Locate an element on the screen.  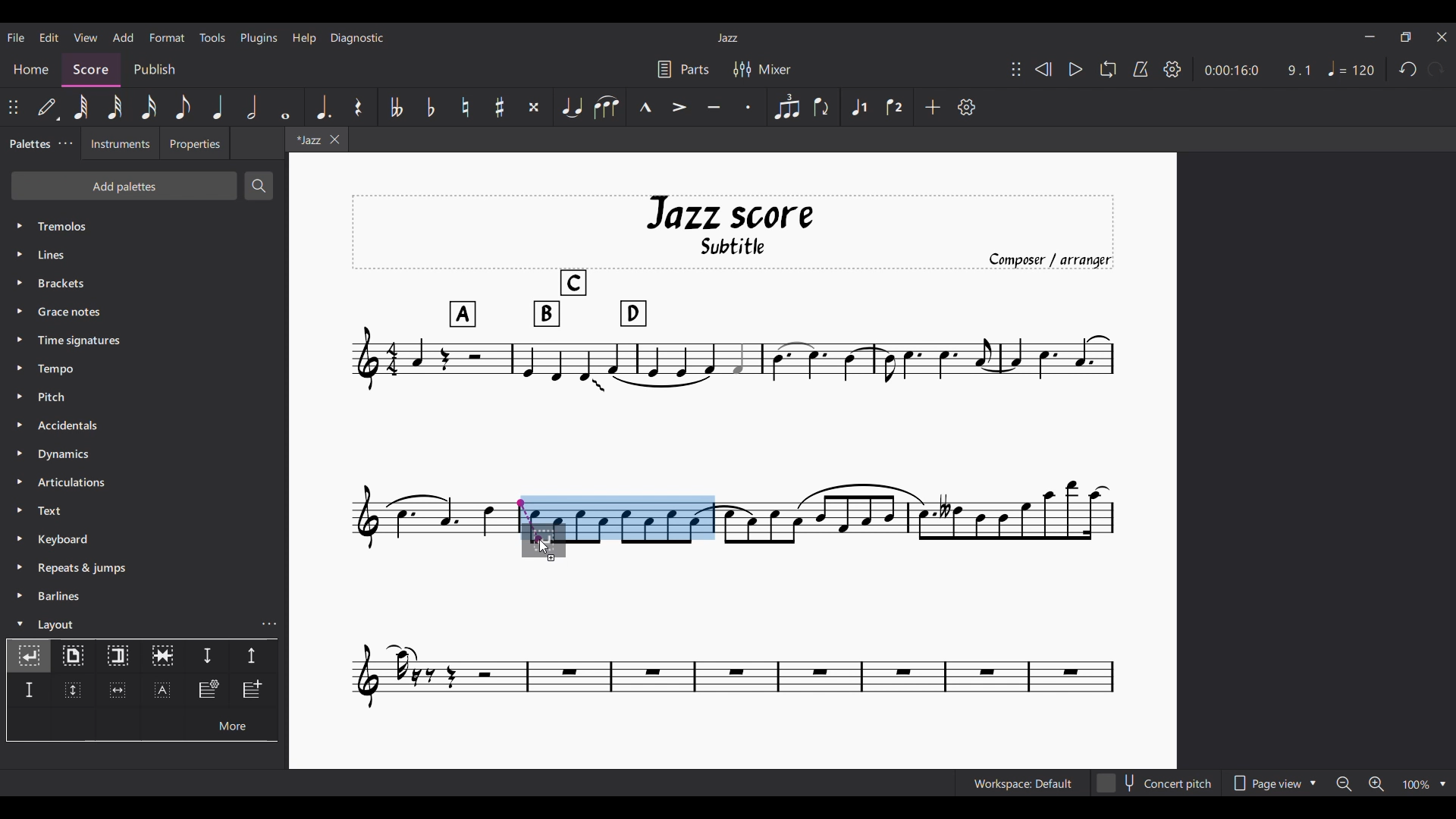
Page break is located at coordinates (73, 657).